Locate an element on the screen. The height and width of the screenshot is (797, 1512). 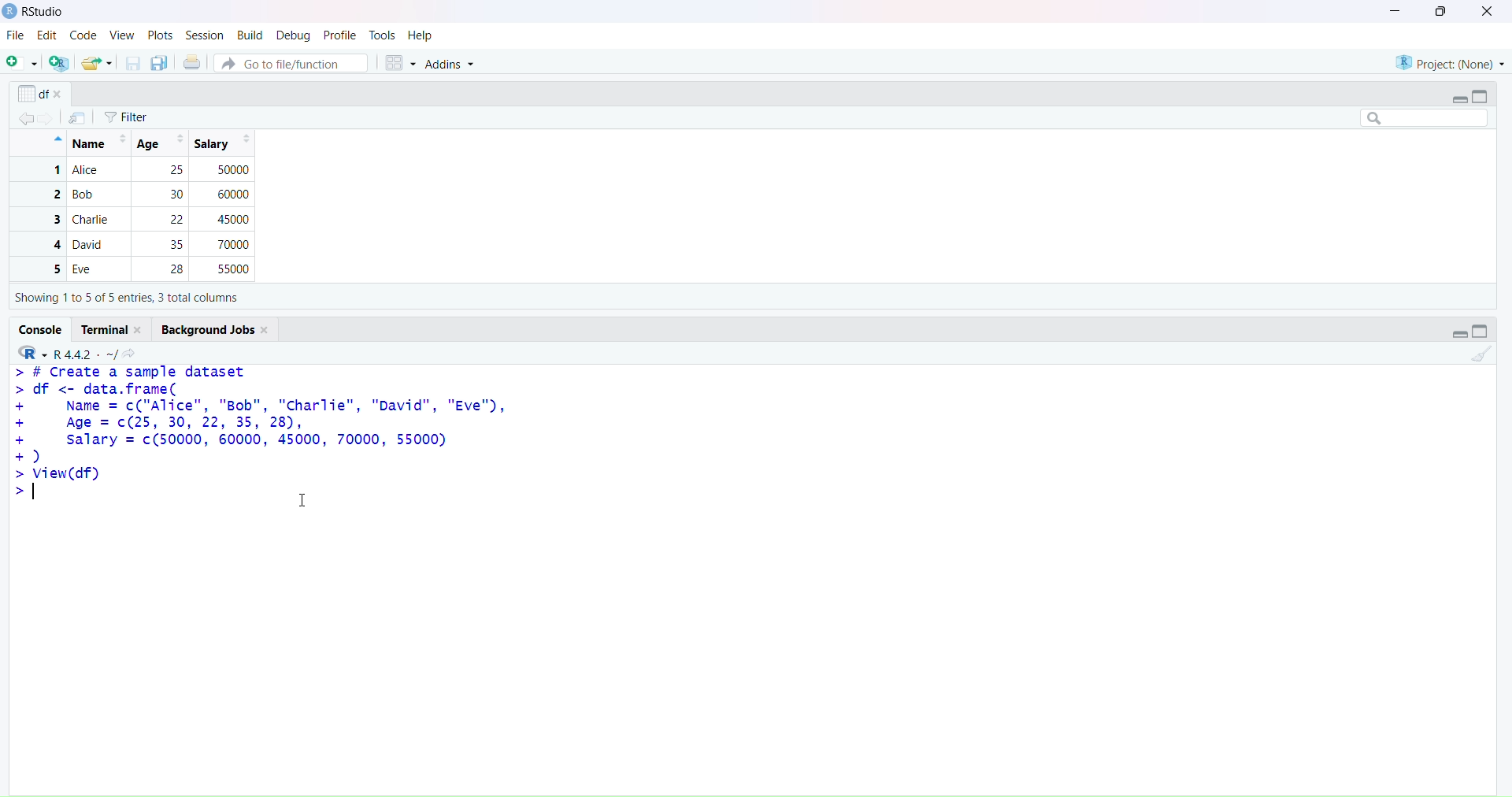
project(None) is located at coordinates (1449, 61).